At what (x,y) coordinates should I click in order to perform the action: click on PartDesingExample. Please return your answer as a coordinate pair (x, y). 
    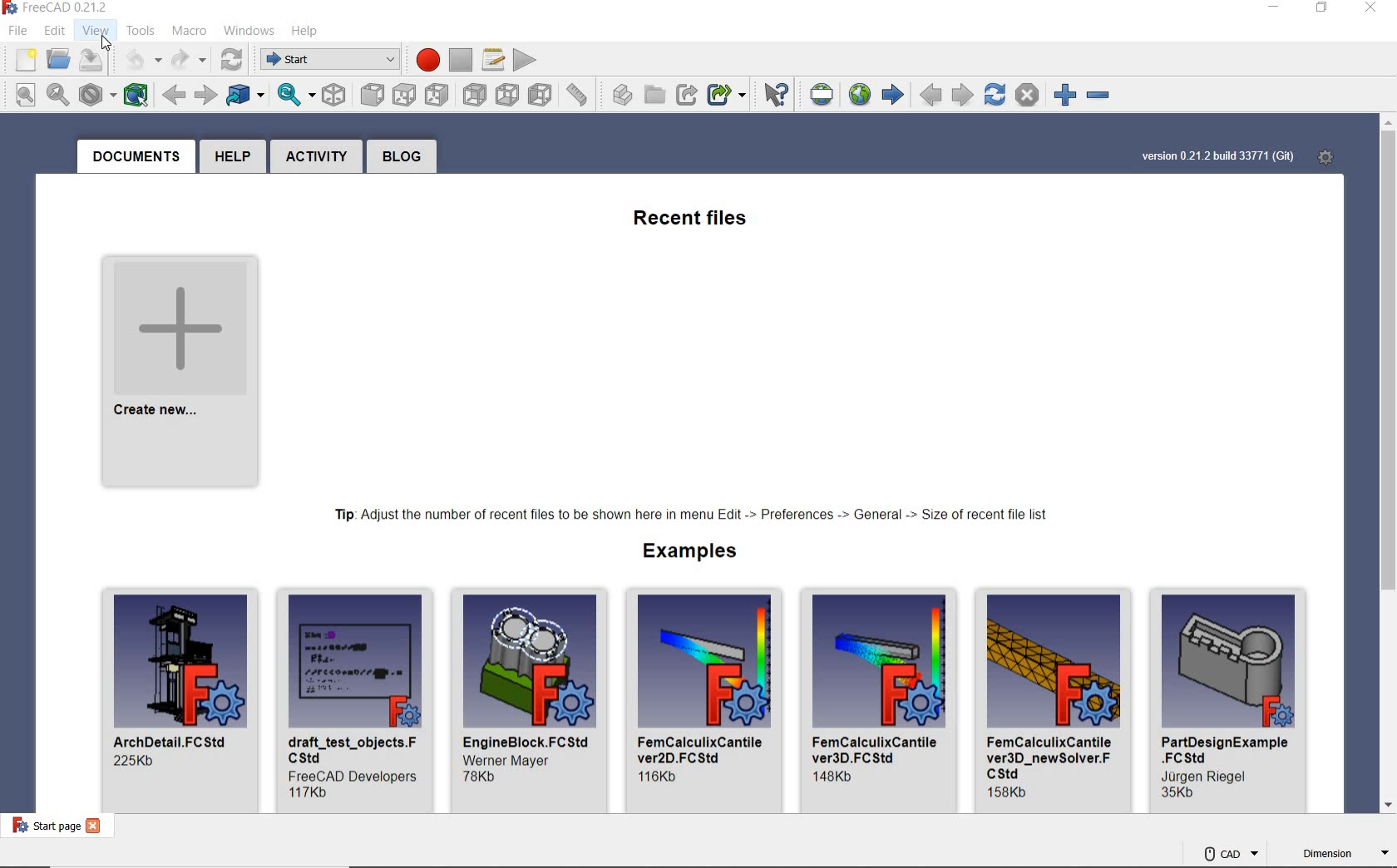
    Looking at the image, I should click on (1231, 699).